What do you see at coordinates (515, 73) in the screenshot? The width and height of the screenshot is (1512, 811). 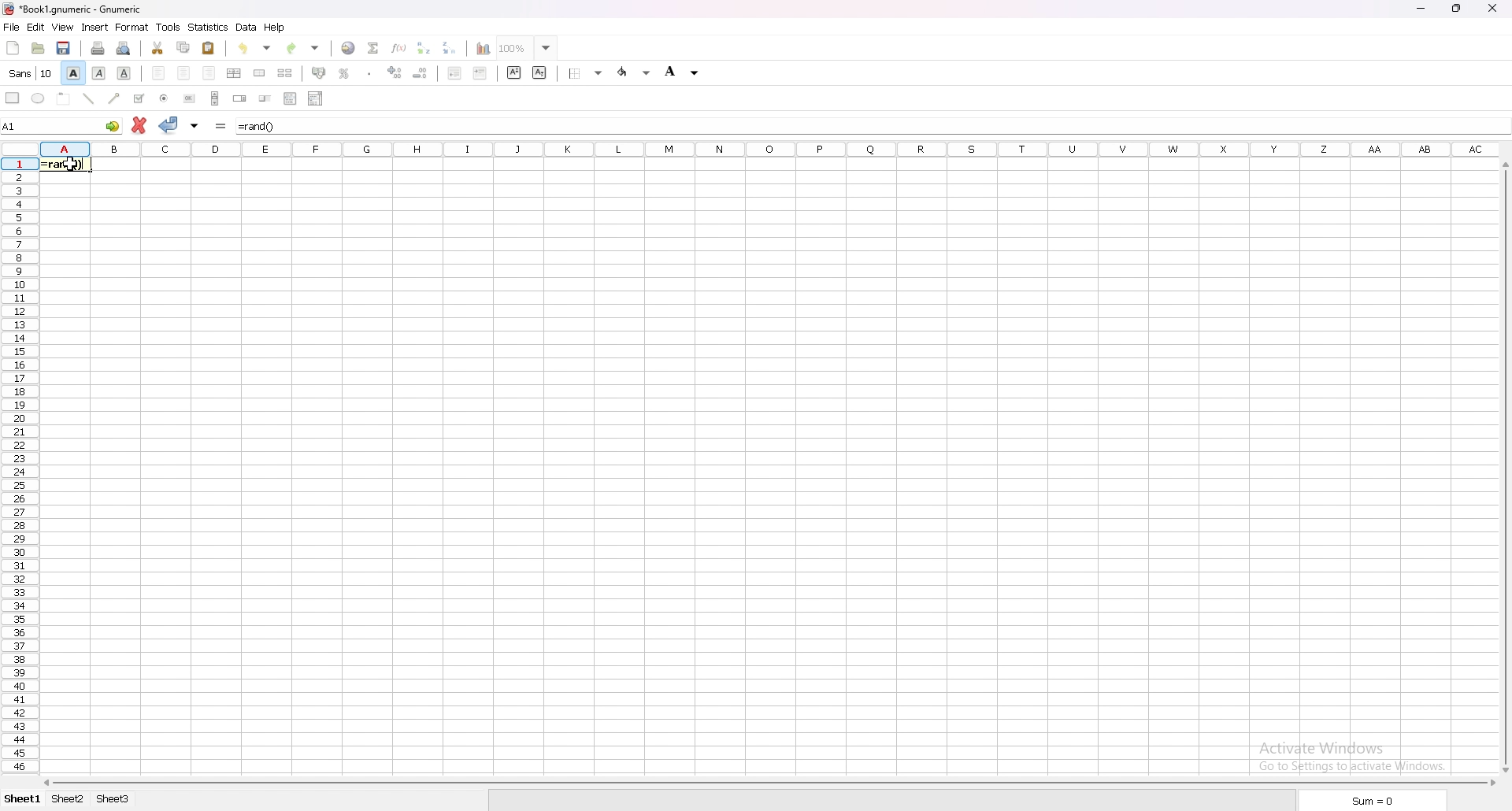 I see `superscript` at bounding box center [515, 73].